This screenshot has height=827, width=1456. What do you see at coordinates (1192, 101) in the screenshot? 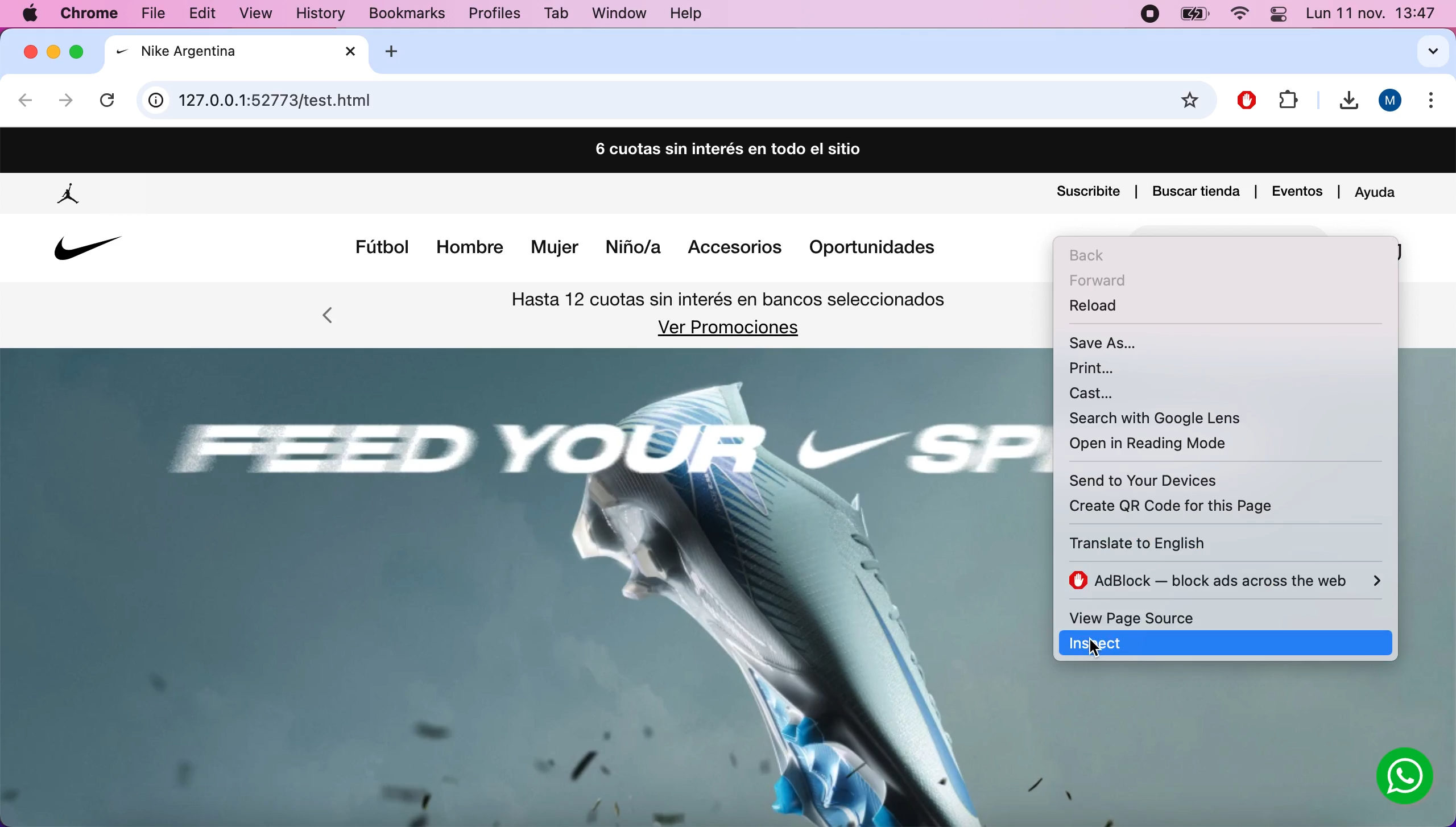
I see `favorites` at bounding box center [1192, 101].